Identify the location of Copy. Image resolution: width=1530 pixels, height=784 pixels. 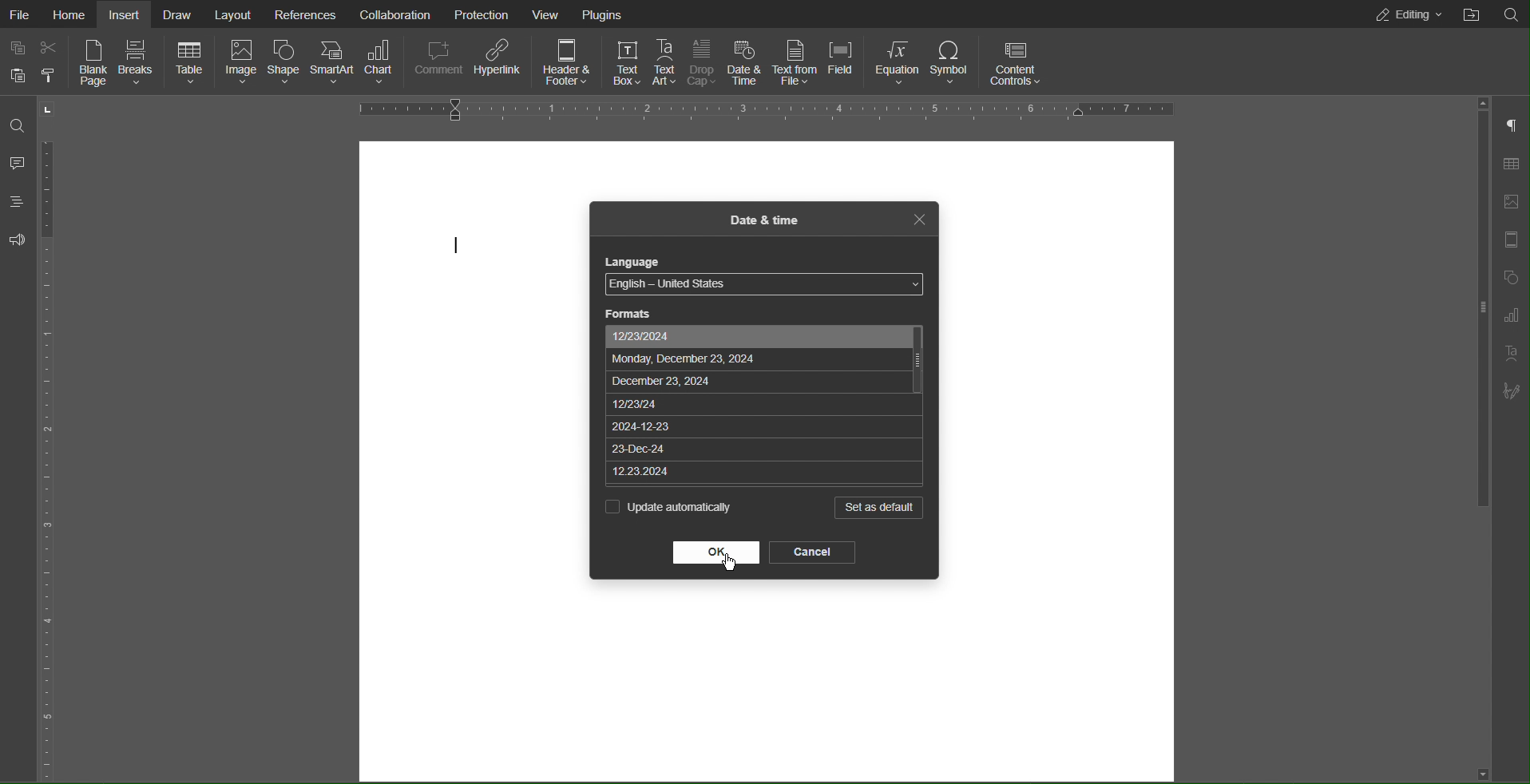
(18, 49).